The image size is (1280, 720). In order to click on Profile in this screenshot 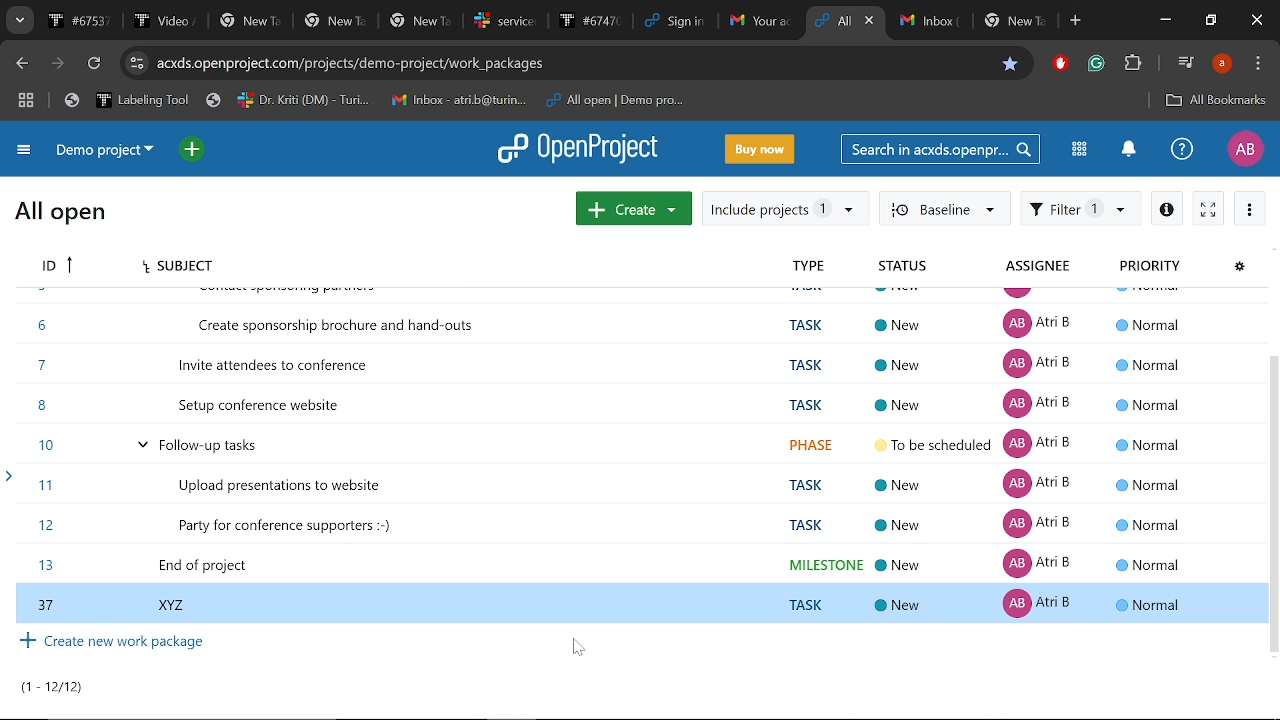, I will do `click(1221, 64)`.